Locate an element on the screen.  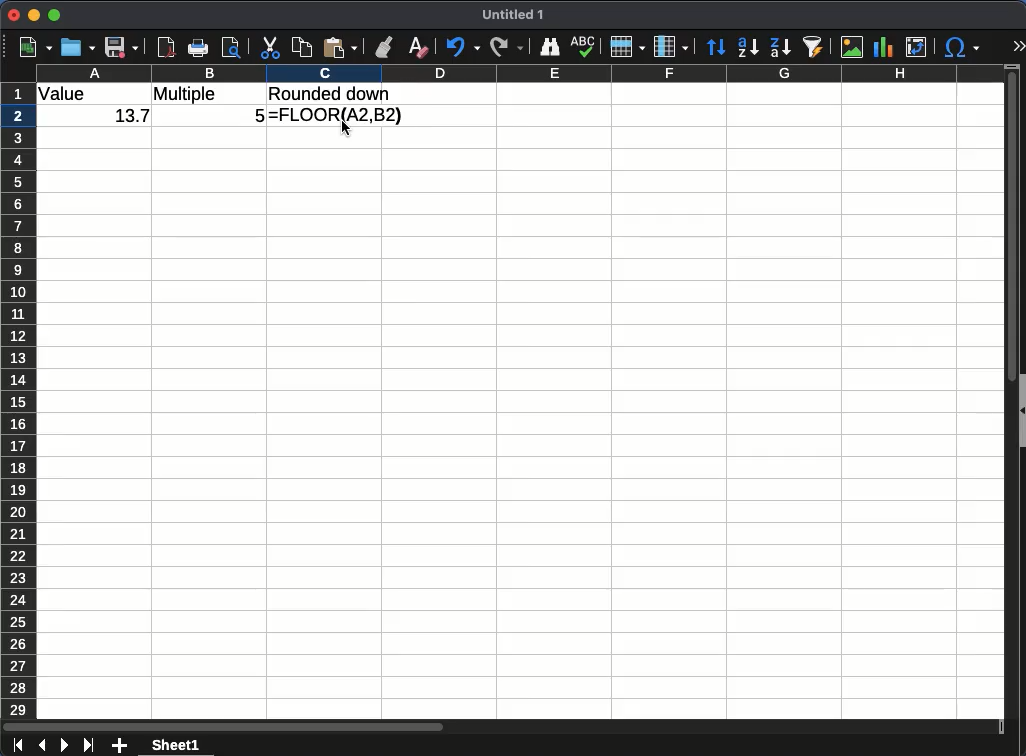
filter is located at coordinates (815, 45).